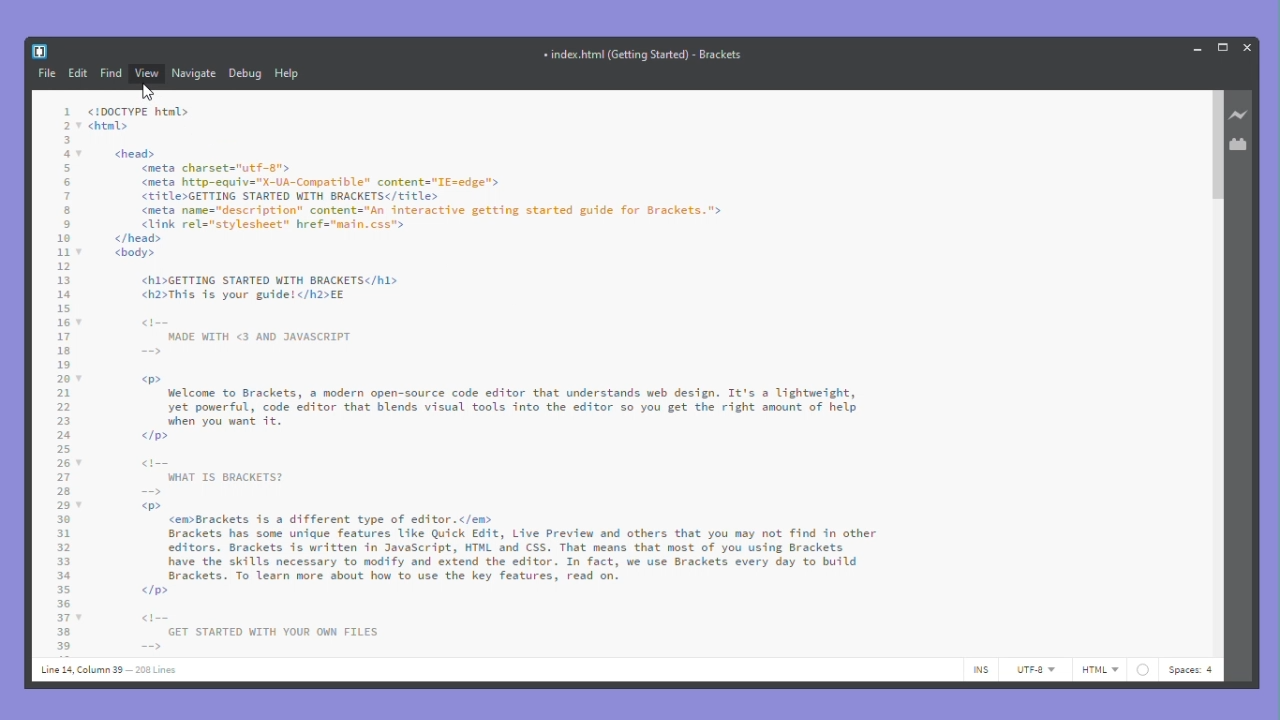 The height and width of the screenshot is (720, 1280). Describe the element at coordinates (137, 112) in the screenshot. I see `<!DOCTYPE html>` at that location.